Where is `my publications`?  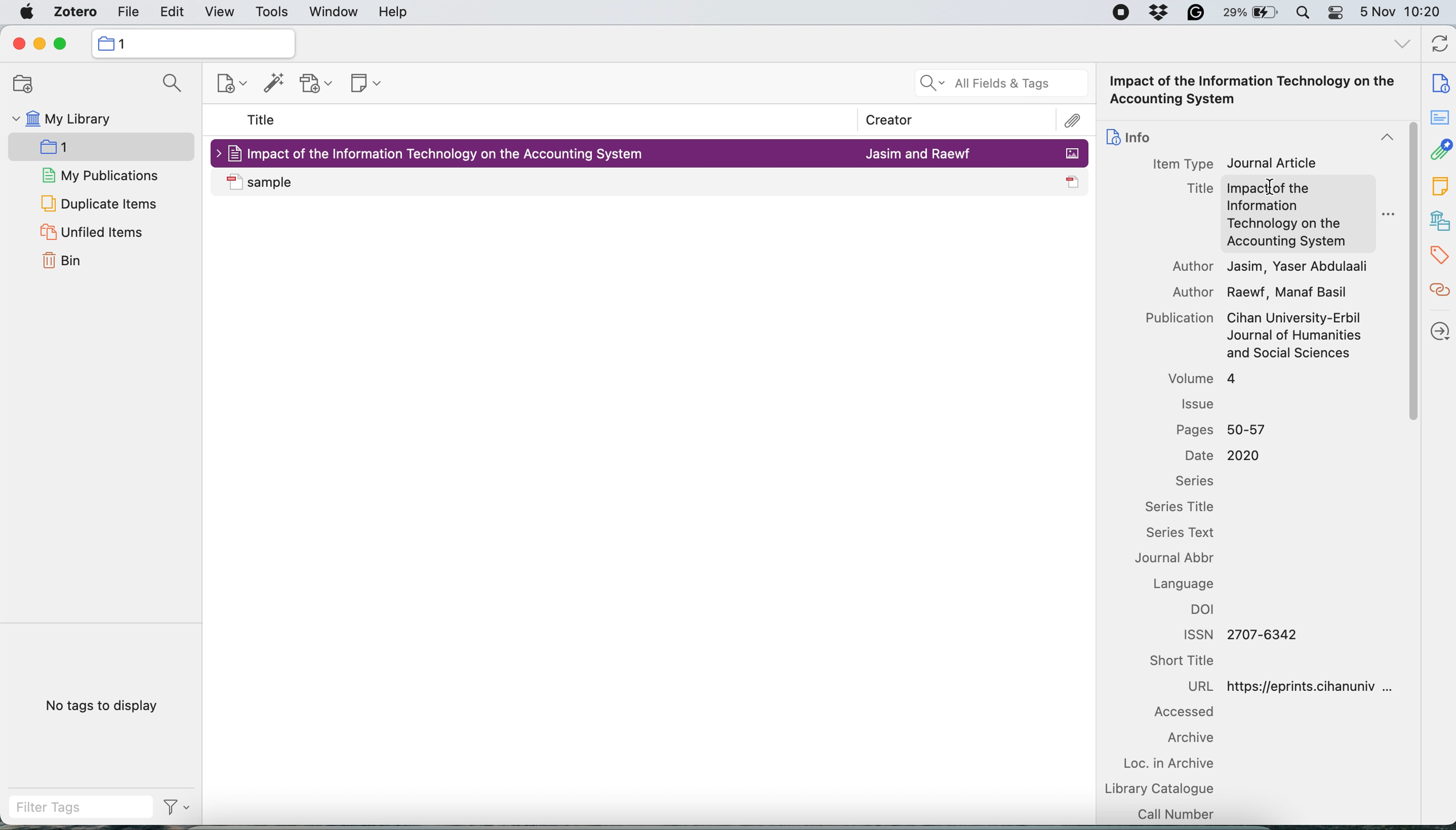
my publications is located at coordinates (100, 175).